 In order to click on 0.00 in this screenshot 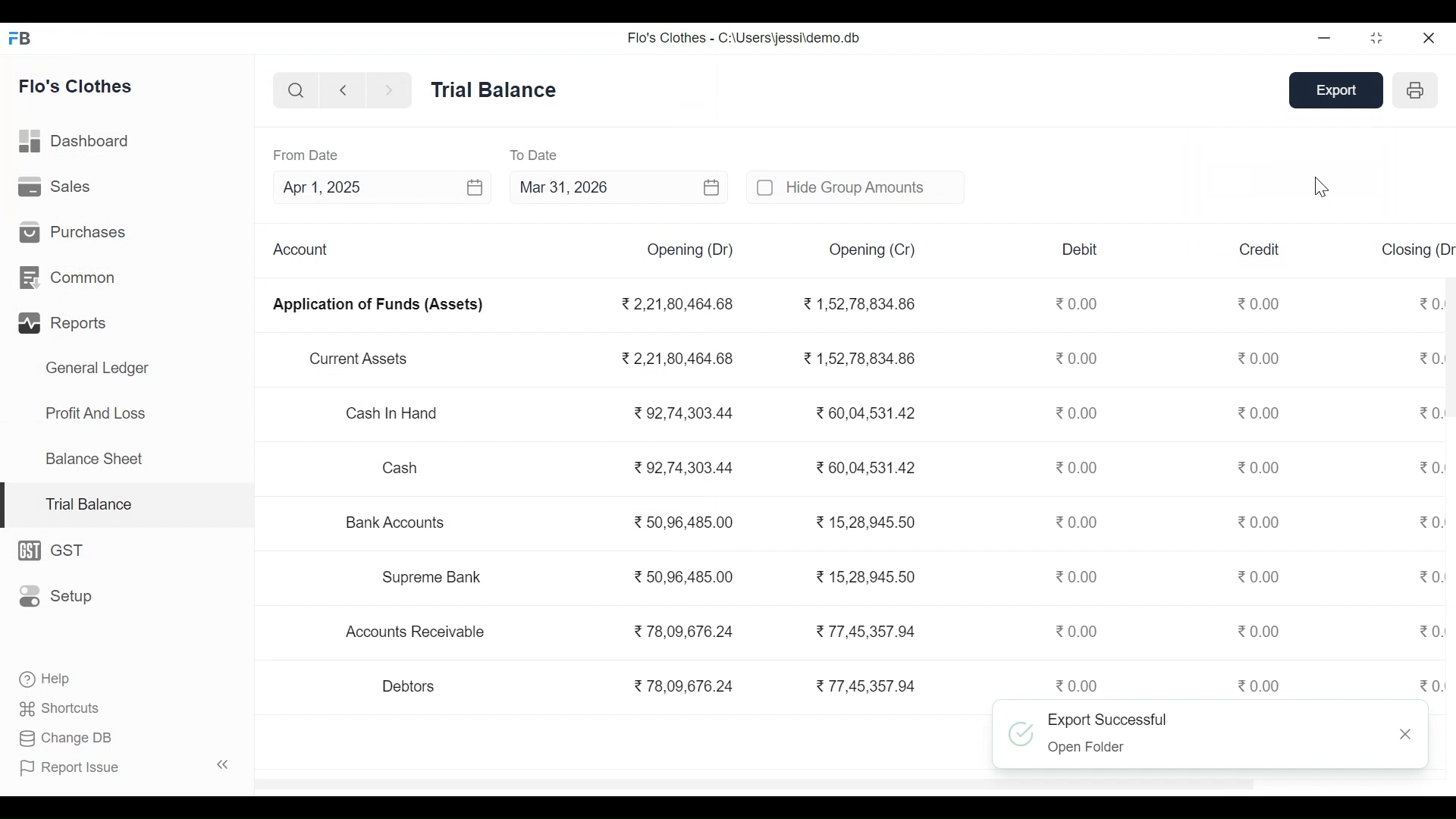, I will do `click(1075, 685)`.